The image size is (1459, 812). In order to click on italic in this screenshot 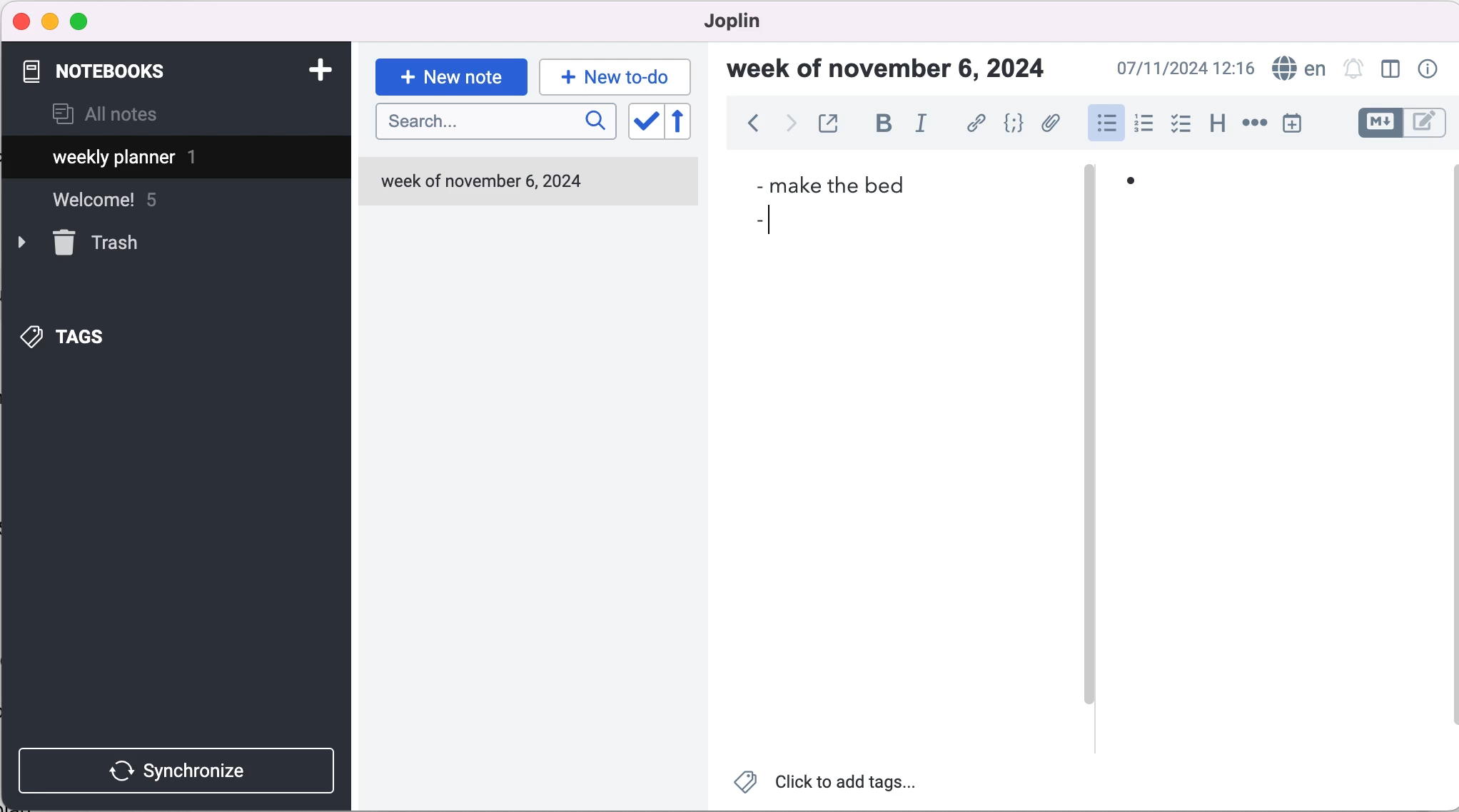, I will do `click(927, 123)`.